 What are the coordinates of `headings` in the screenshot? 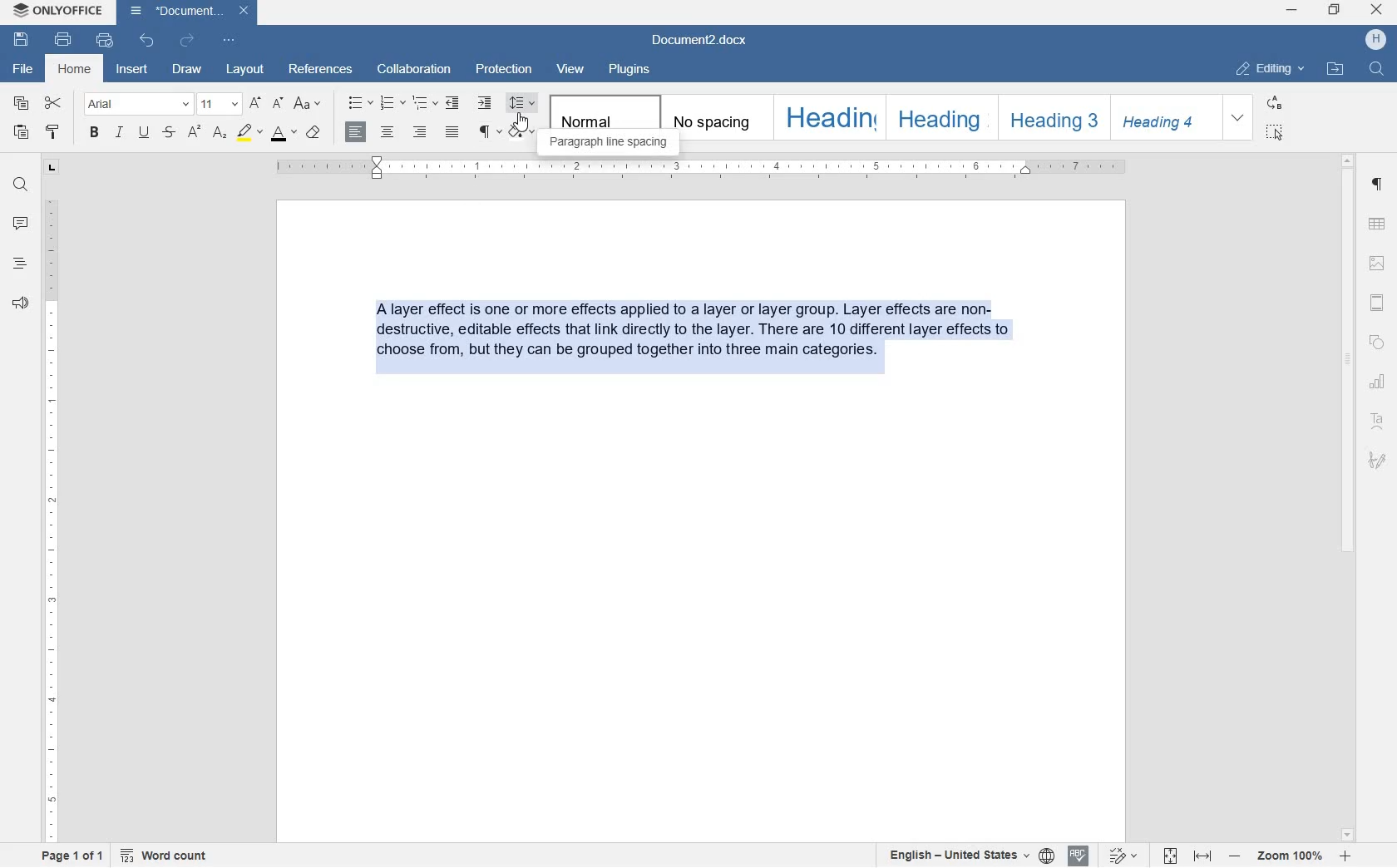 It's located at (20, 265).